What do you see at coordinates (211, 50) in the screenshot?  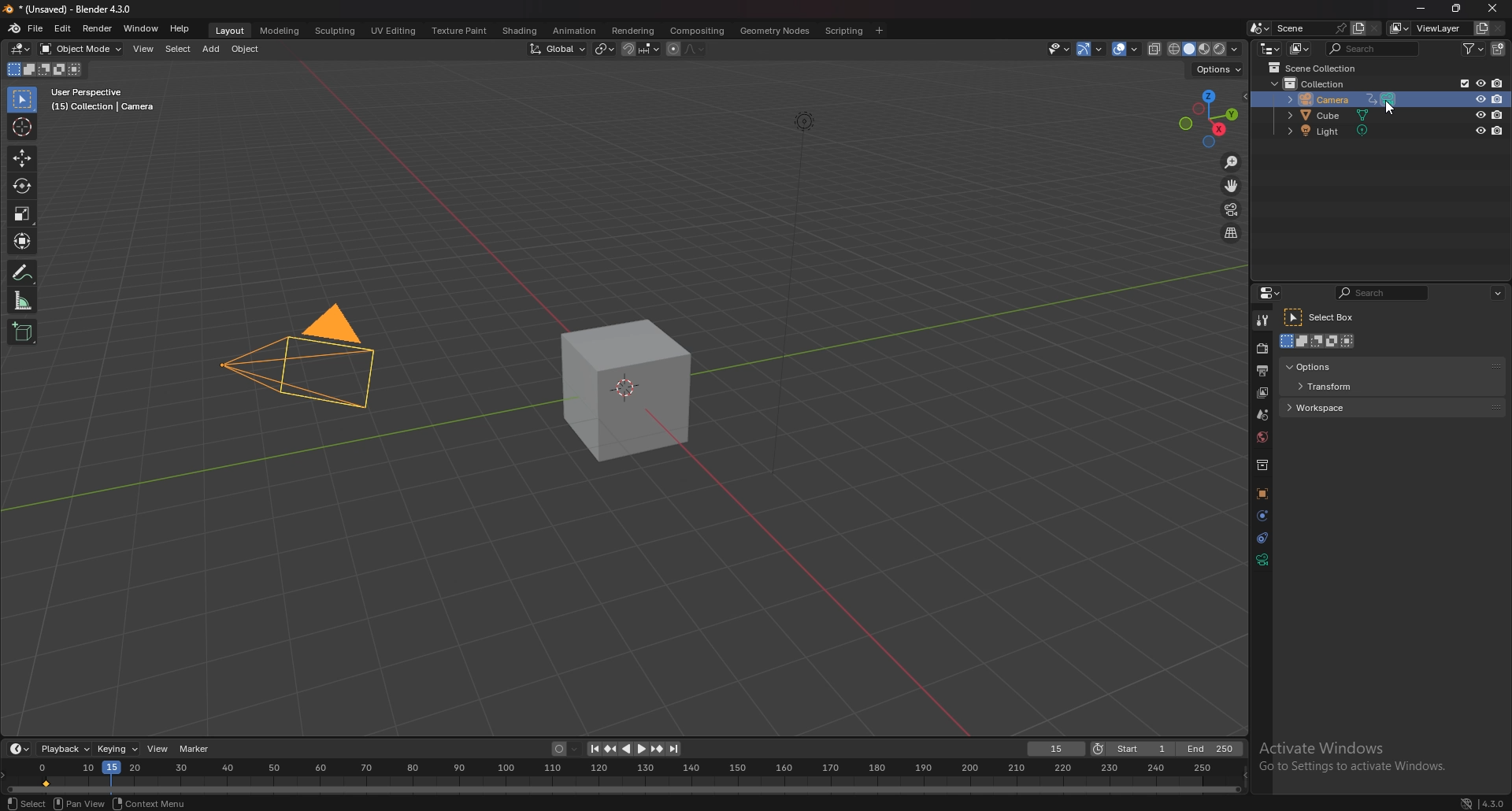 I see `add` at bounding box center [211, 50].